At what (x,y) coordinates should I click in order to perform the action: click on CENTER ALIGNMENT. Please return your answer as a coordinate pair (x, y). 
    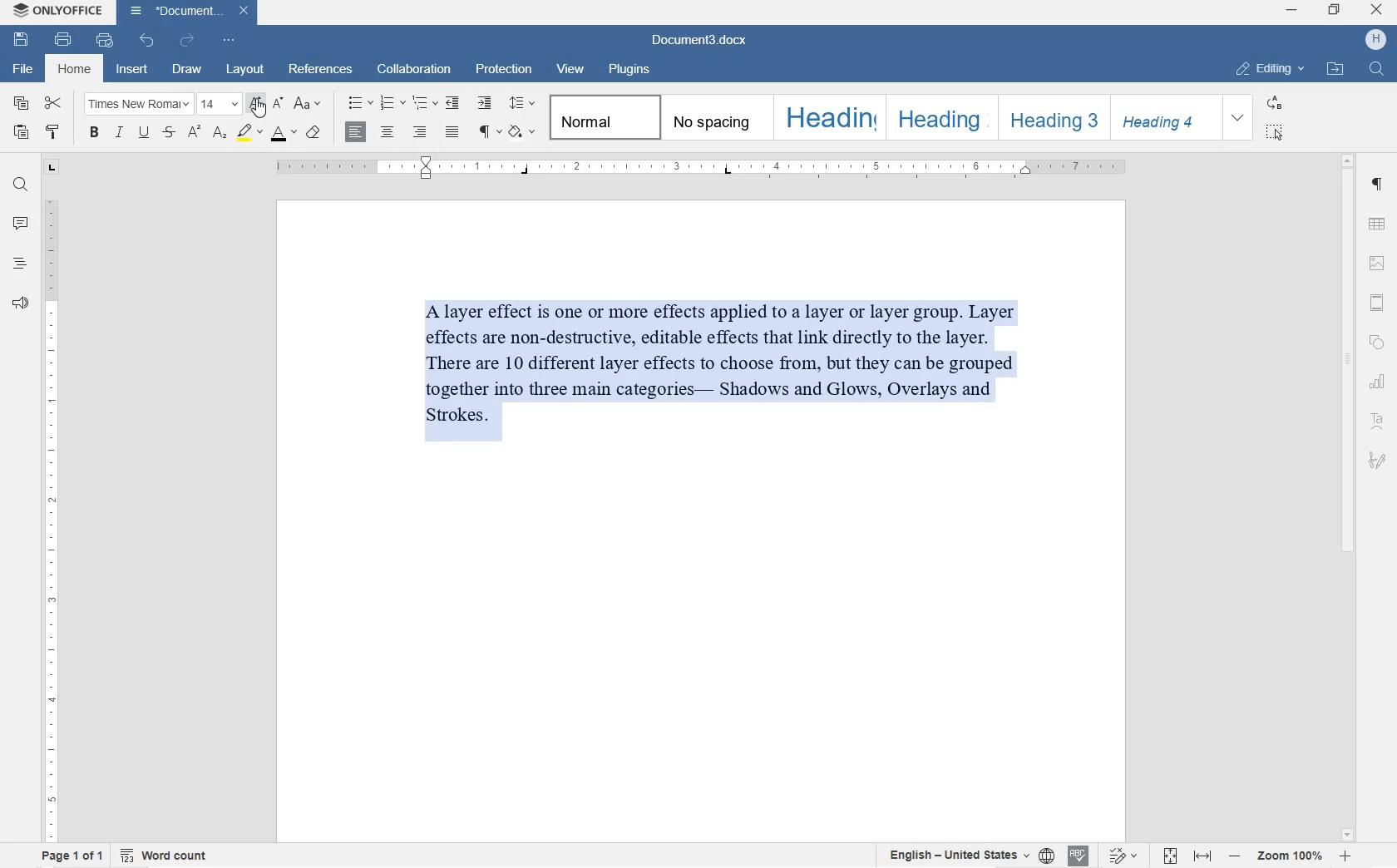
    Looking at the image, I should click on (388, 134).